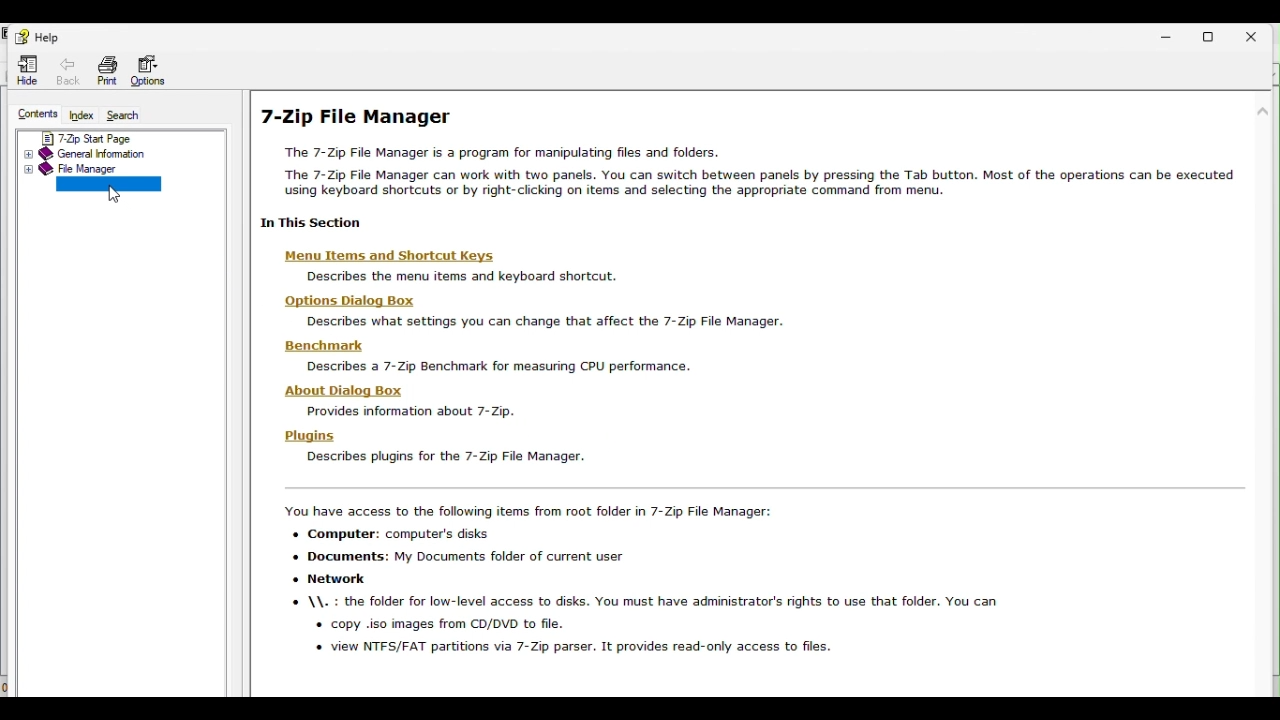 The height and width of the screenshot is (720, 1280). What do you see at coordinates (1263, 31) in the screenshot?
I see `Close` at bounding box center [1263, 31].